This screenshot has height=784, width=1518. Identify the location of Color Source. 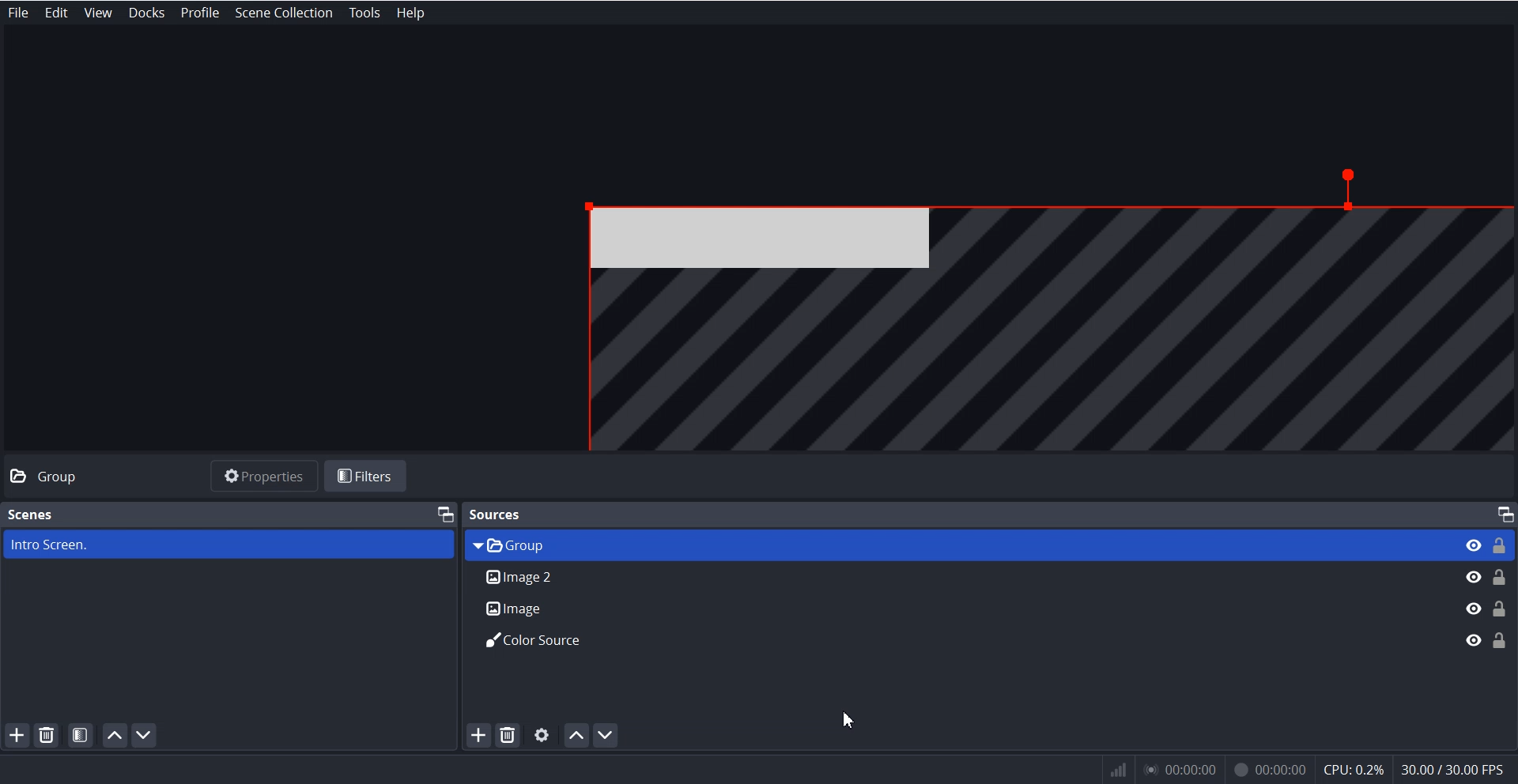
(958, 640).